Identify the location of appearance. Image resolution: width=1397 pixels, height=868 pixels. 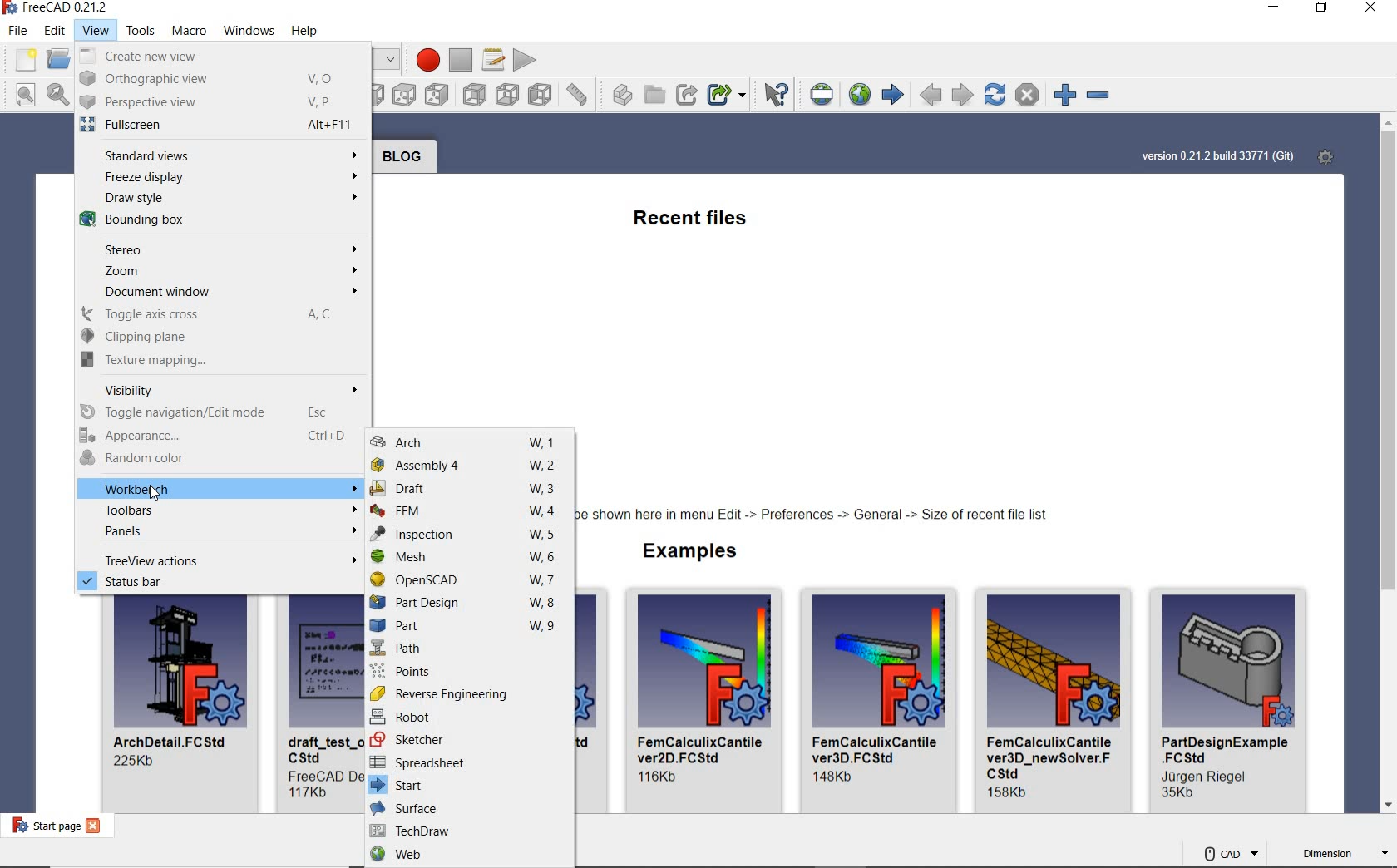
(220, 436).